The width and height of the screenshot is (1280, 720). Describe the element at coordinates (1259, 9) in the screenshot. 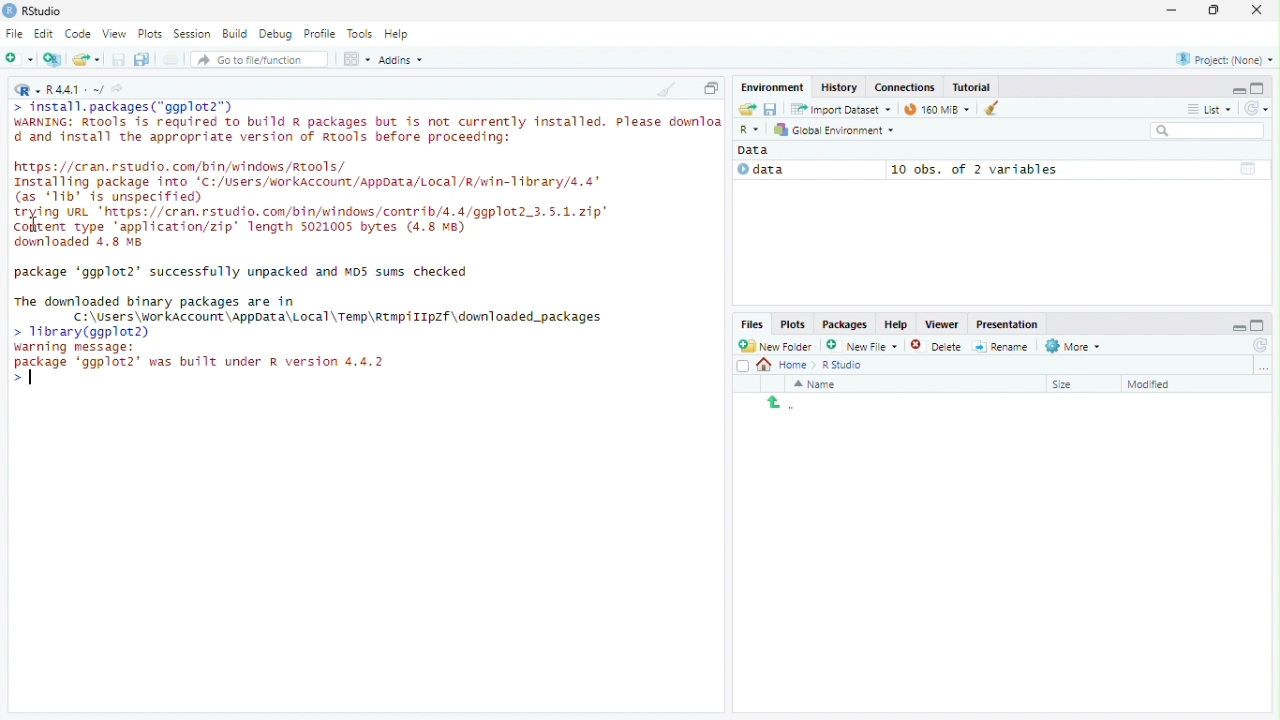

I see `Close` at that location.